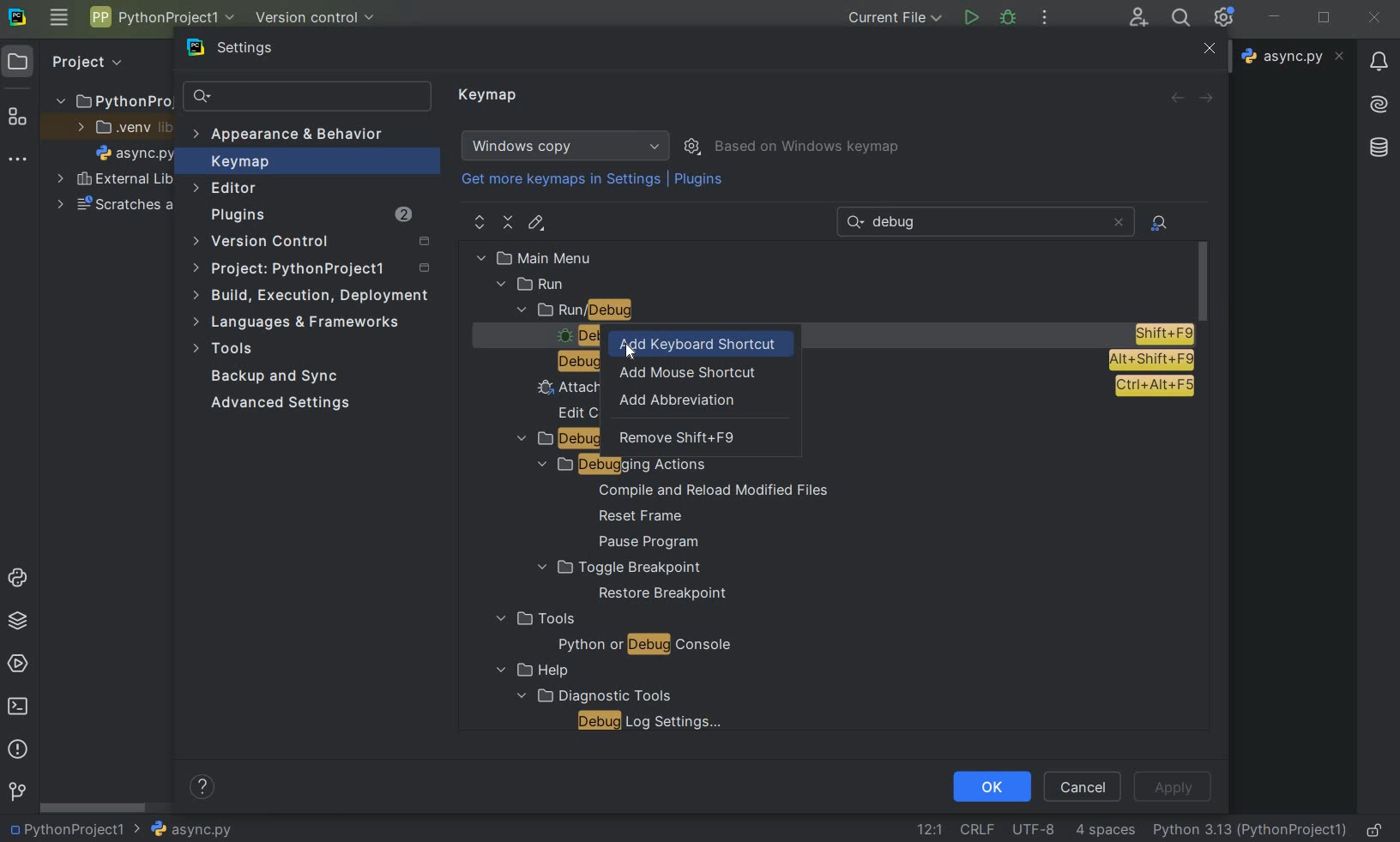 This screenshot has width=1400, height=842. Describe the element at coordinates (1161, 223) in the screenshot. I see `file actions by shortcuts` at that location.